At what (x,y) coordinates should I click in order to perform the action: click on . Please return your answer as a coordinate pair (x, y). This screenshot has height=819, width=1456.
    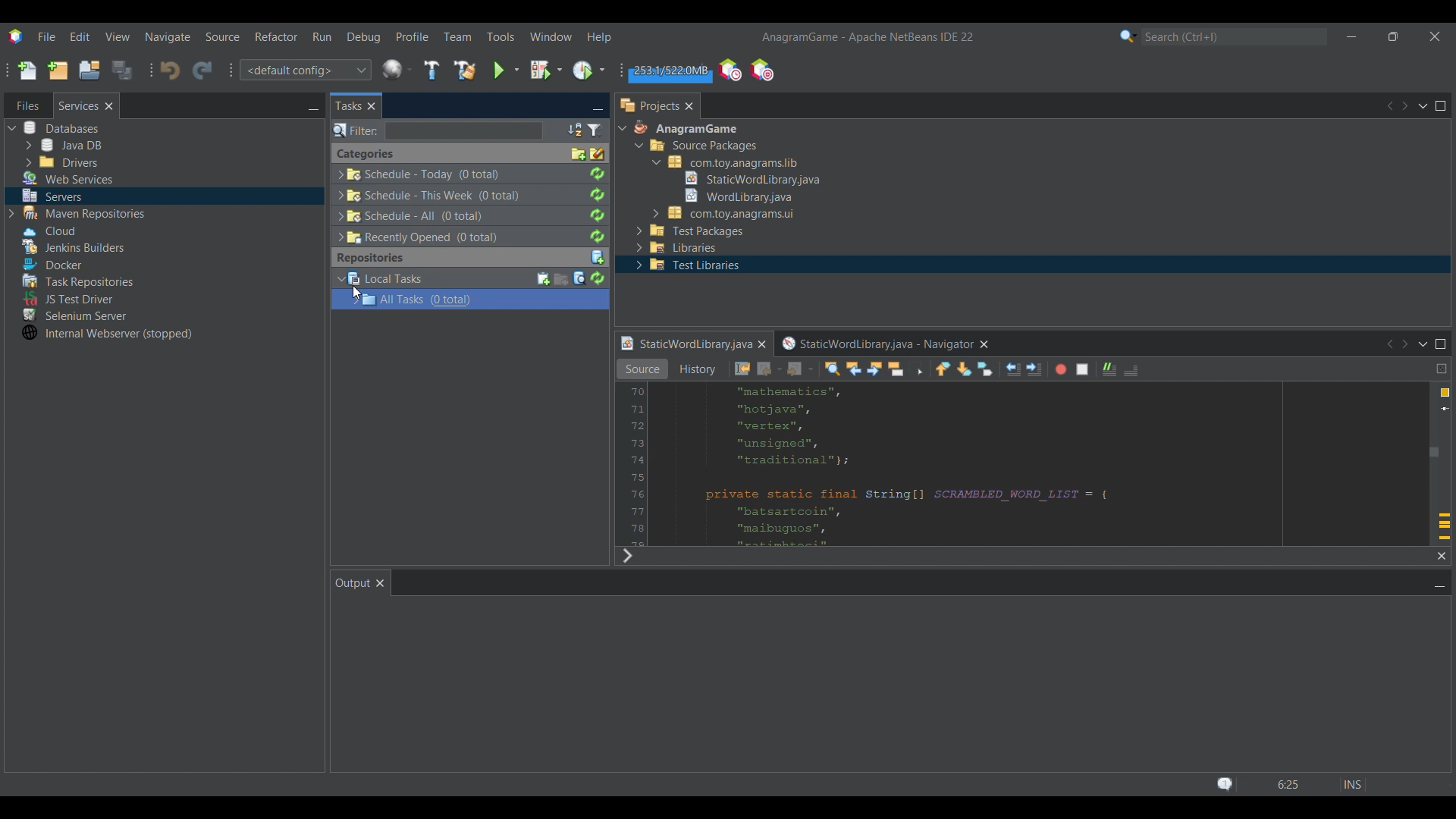
    Looking at the image, I should click on (469, 278).